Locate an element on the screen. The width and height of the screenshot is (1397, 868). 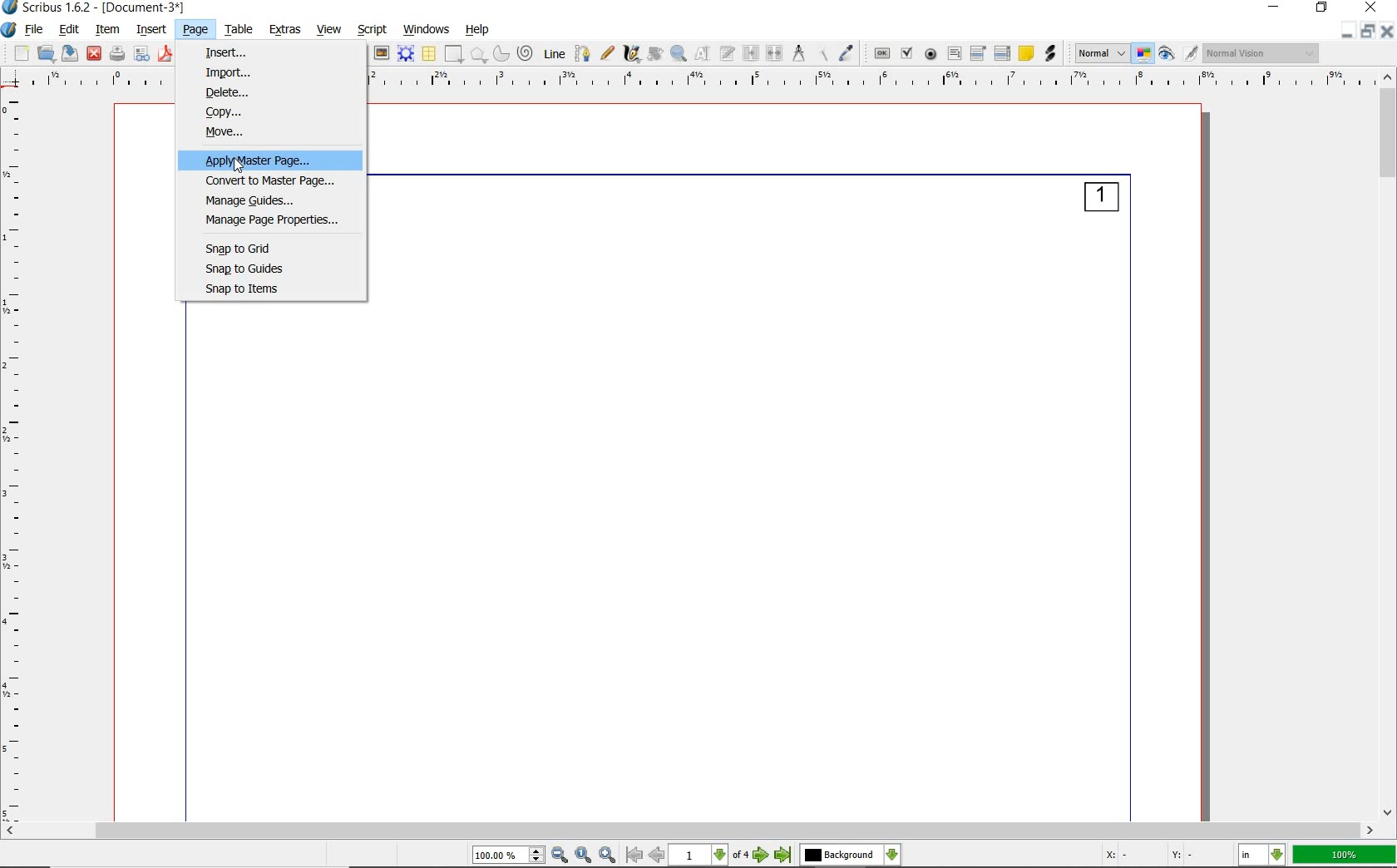
scrollbar is located at coordinates (1388, 446).